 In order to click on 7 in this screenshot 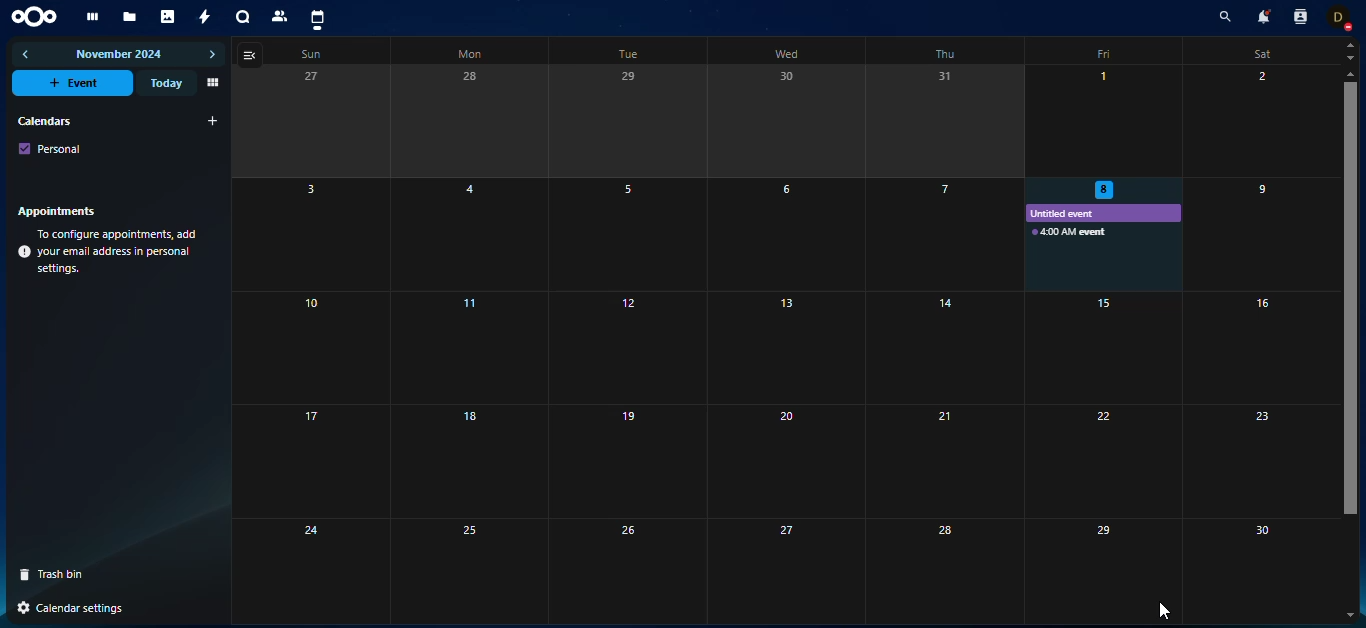, I will do `click(935, 234)`.